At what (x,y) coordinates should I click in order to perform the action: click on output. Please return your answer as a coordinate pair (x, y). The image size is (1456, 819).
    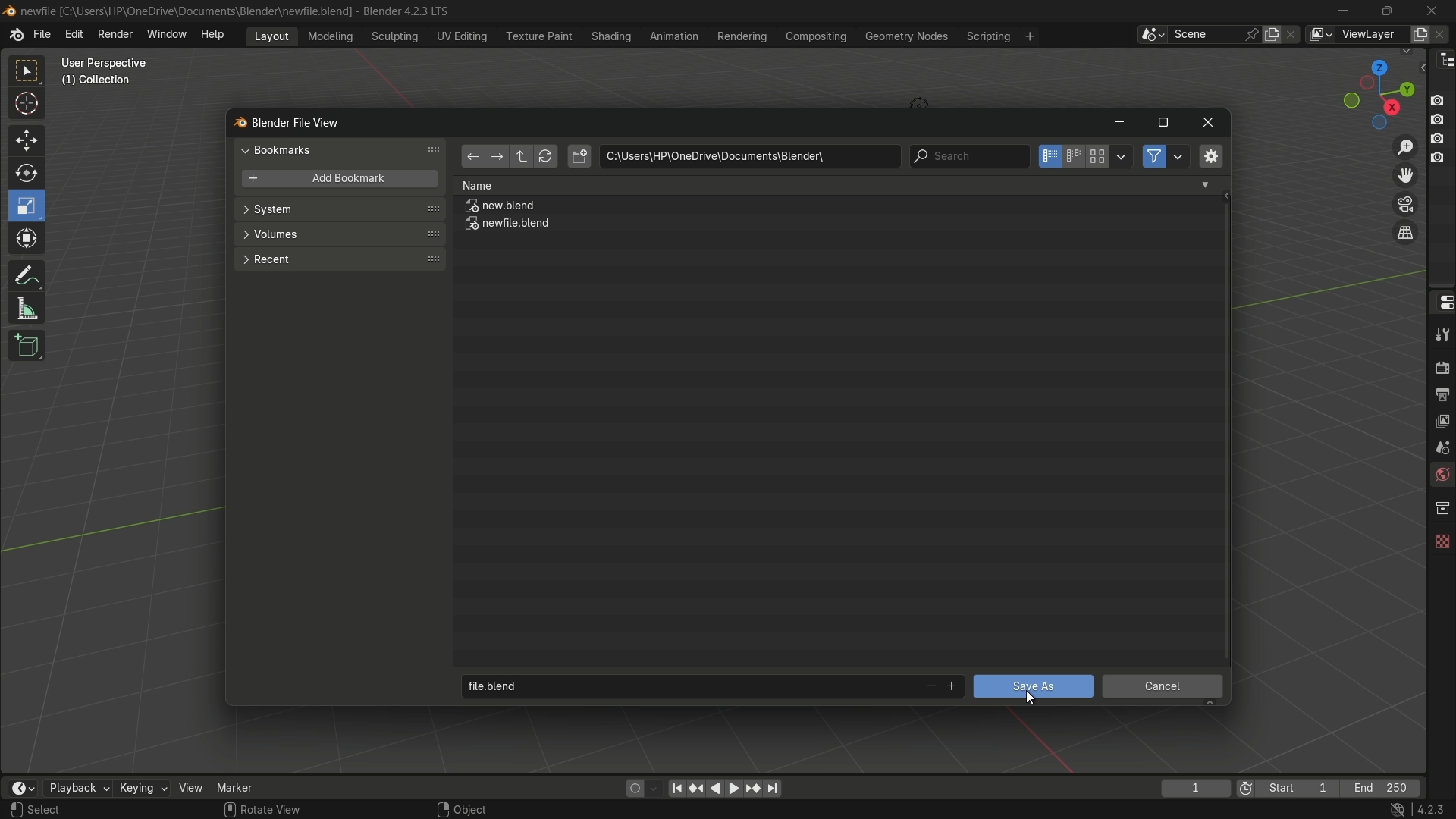
    Looking at the image, I should click on (1442, 394).